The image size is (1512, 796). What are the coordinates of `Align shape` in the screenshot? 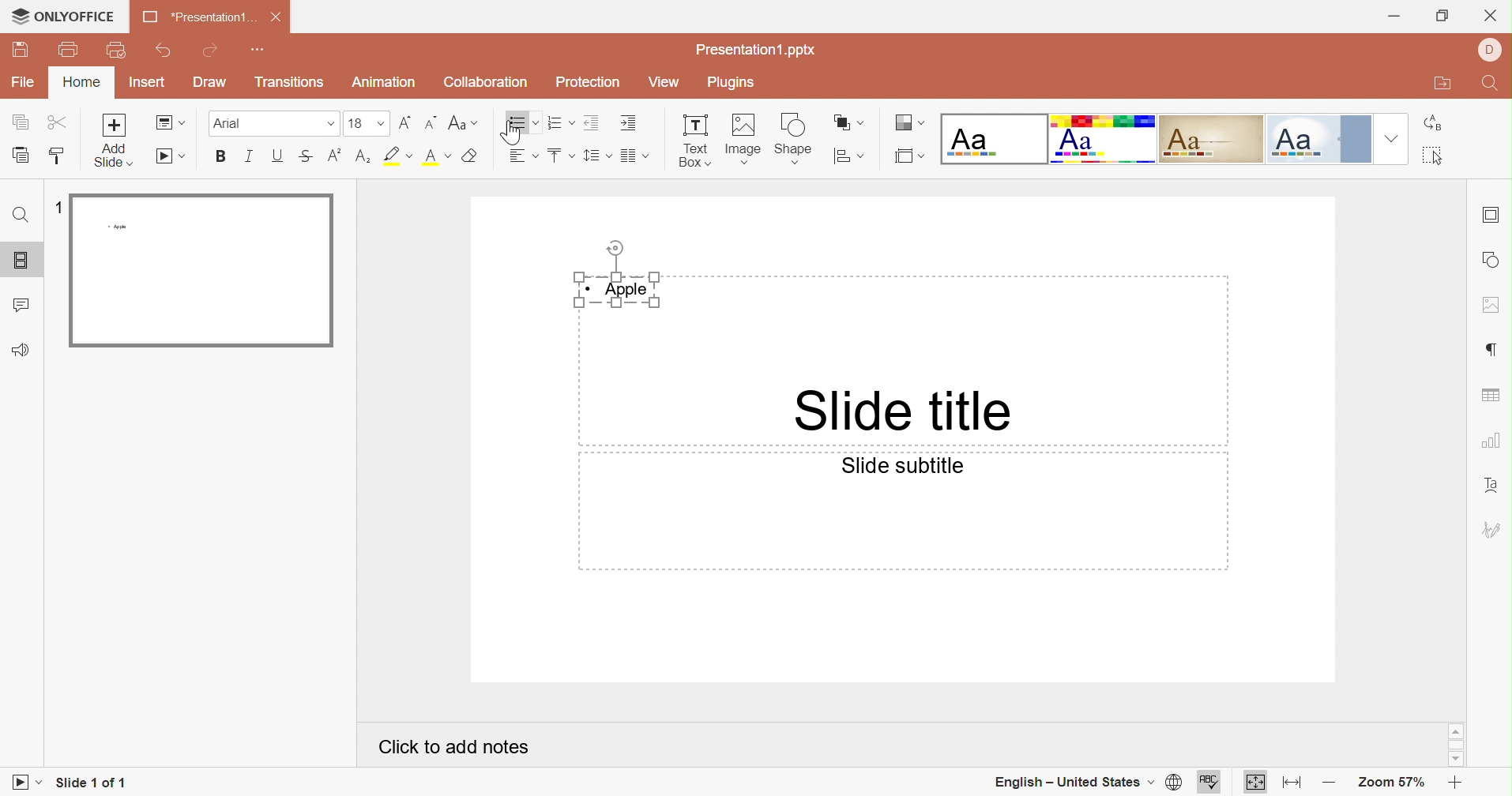 It's located at (851, 157).